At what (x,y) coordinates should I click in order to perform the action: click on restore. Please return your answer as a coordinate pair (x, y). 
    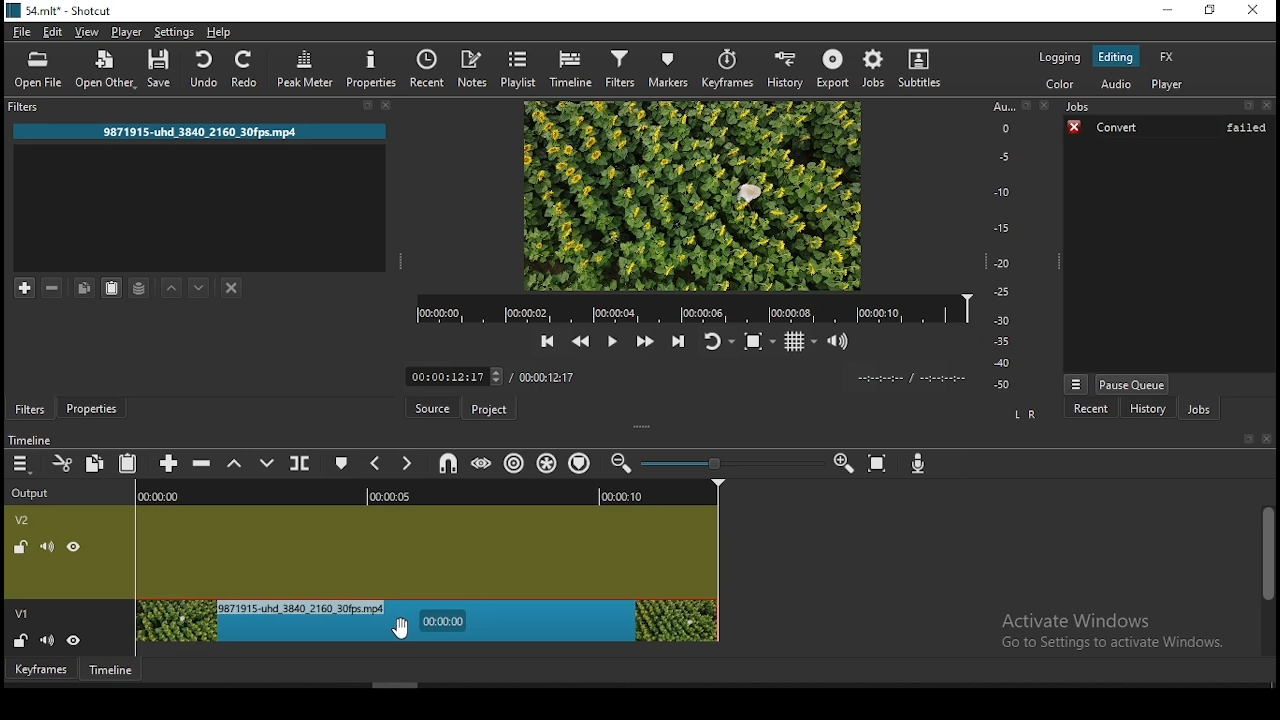
    Looking at the image, I should click on (1211, 10).